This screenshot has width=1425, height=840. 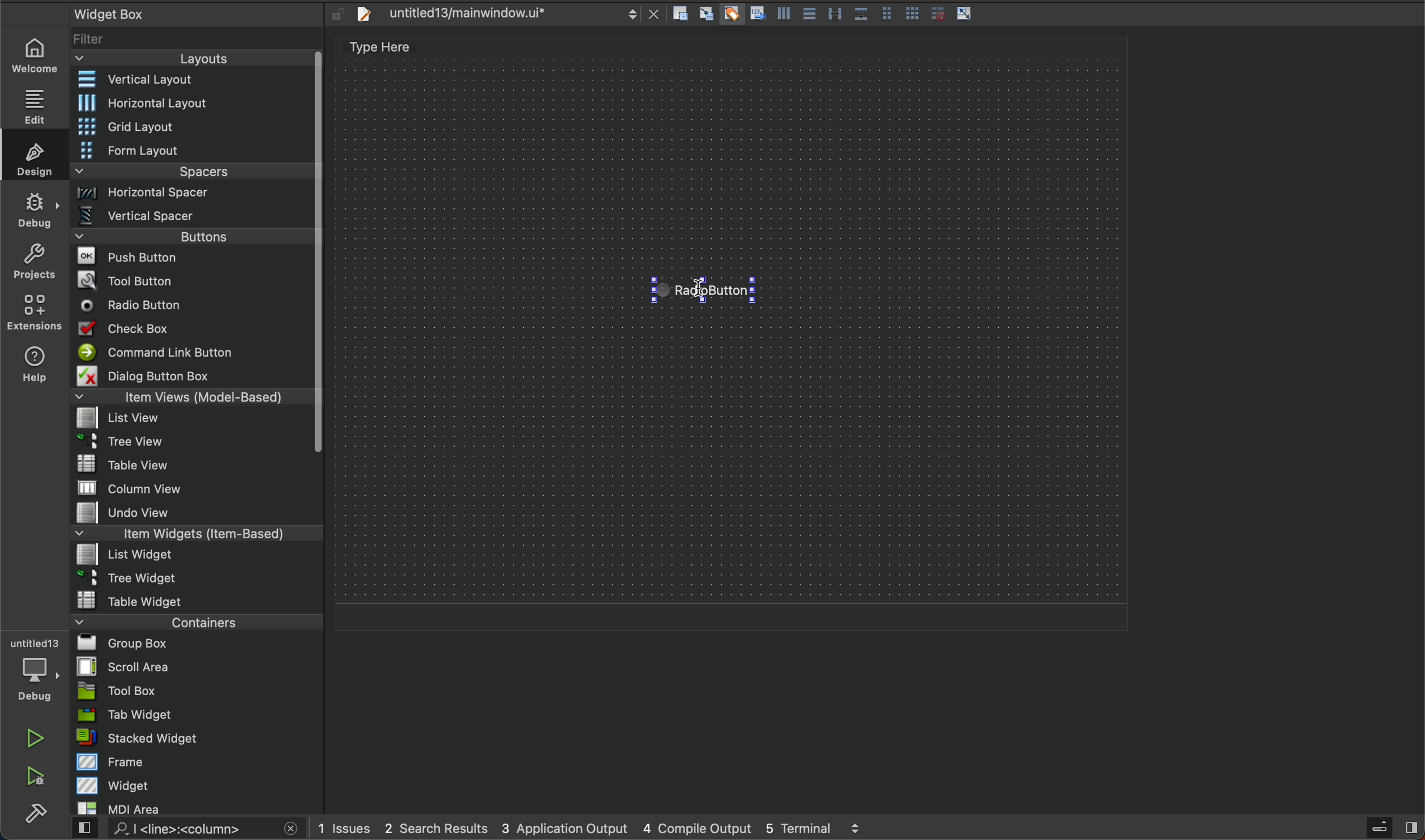 I want to click on , so click(x=195, y=196).